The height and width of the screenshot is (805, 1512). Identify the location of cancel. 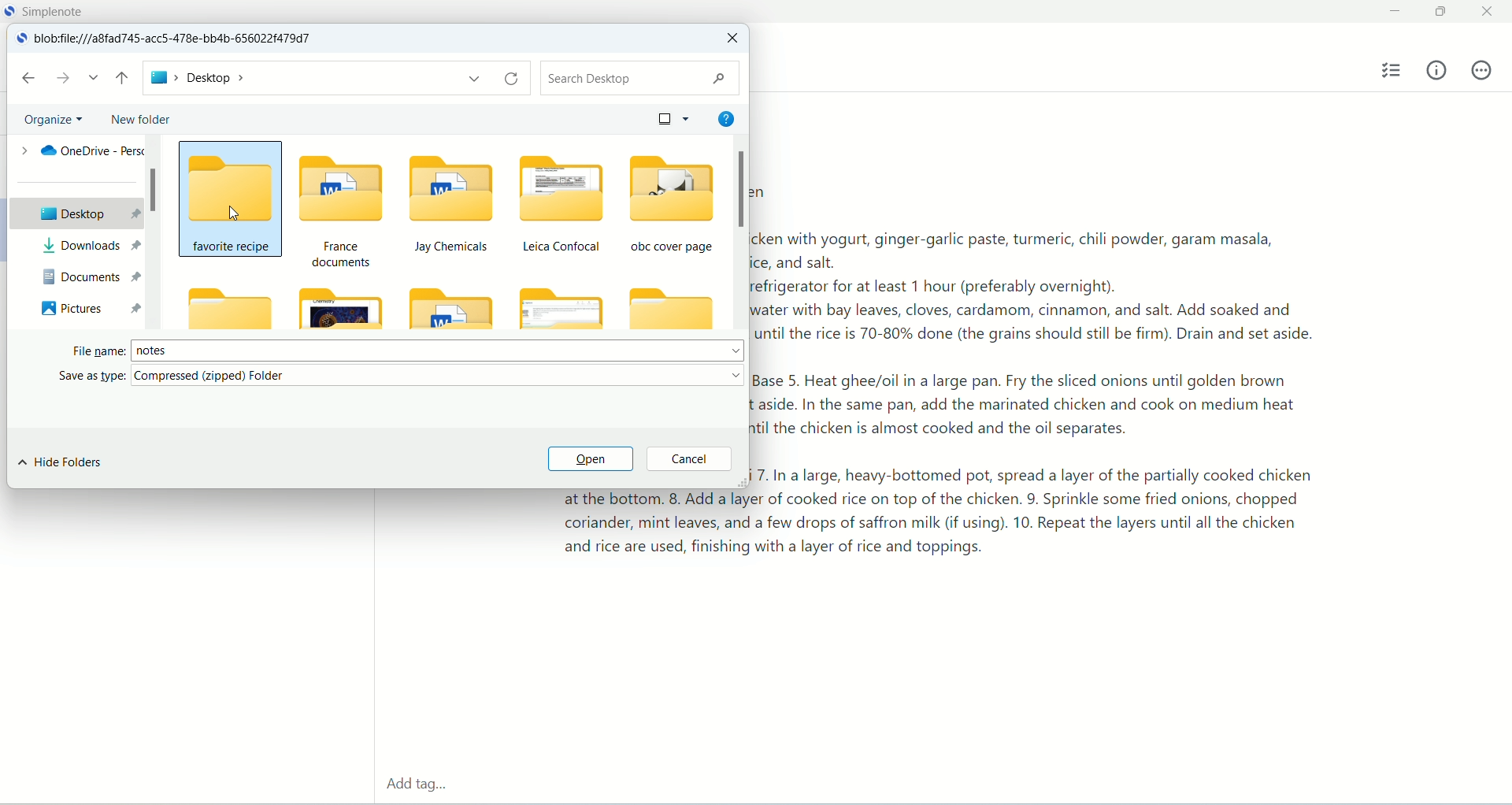
(689, 460).